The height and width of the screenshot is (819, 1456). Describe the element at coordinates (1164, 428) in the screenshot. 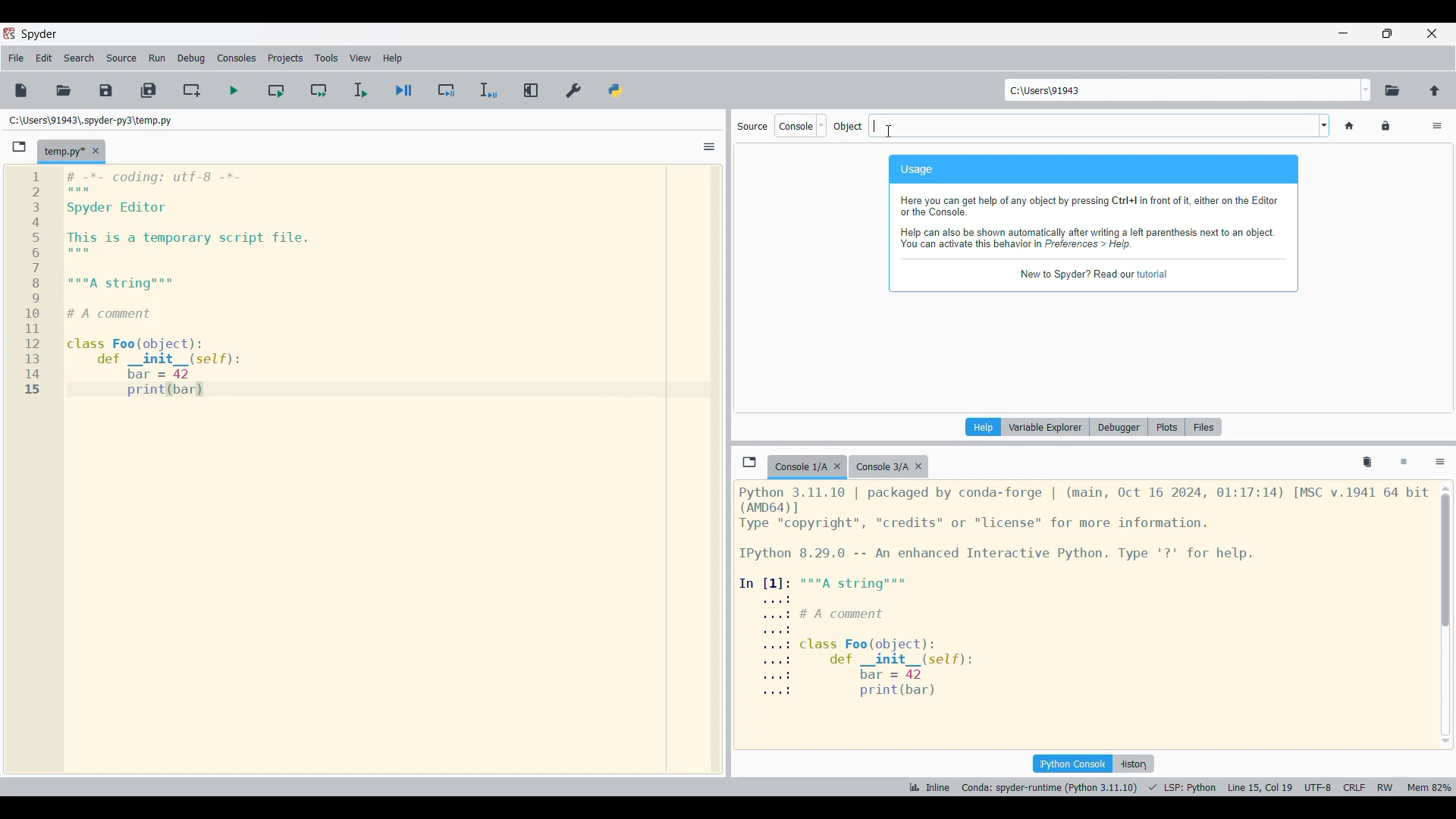

I see `Plots` at that location.